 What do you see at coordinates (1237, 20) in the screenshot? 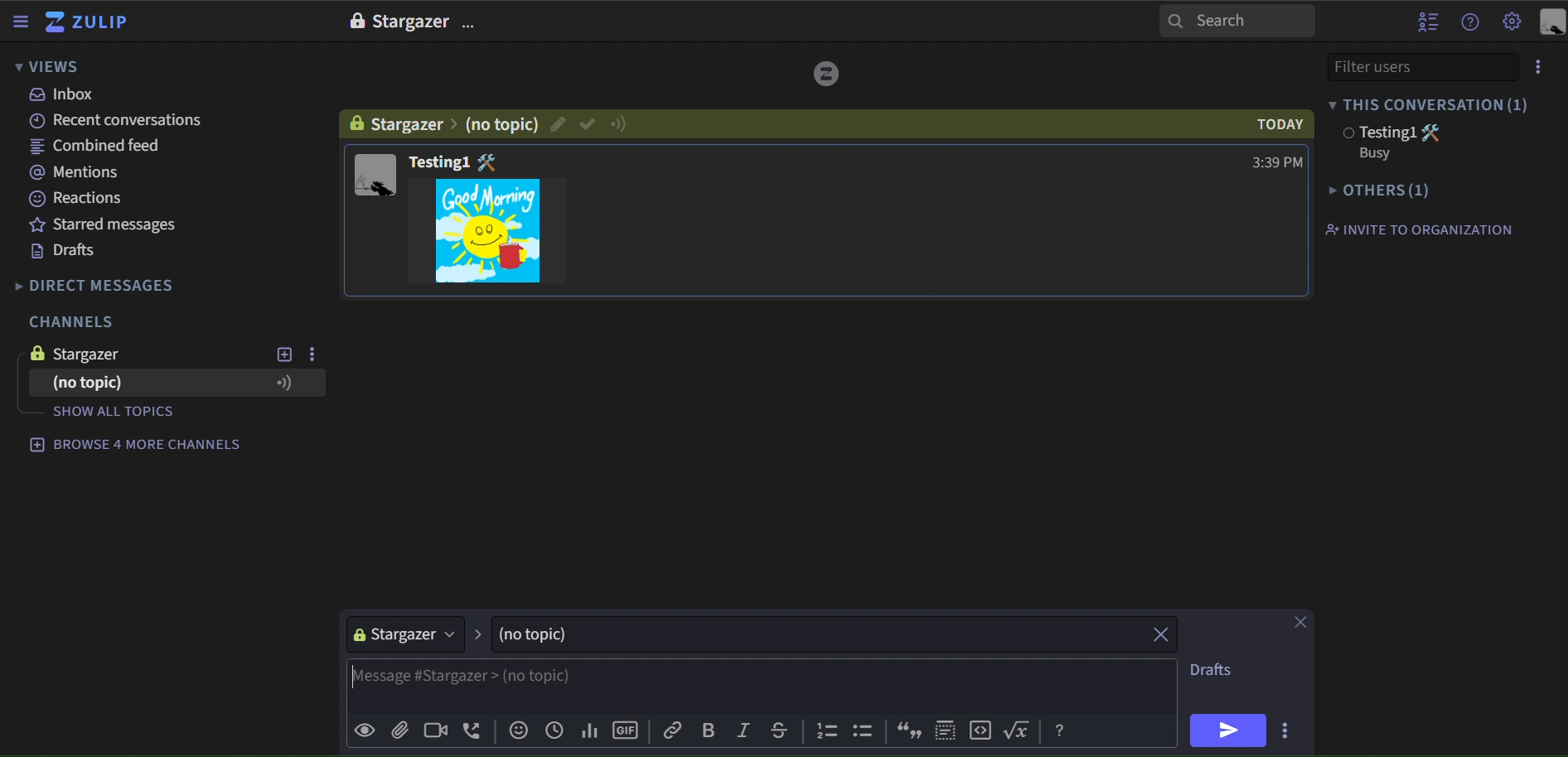
I see `search` at bounding box center [1237, 20].